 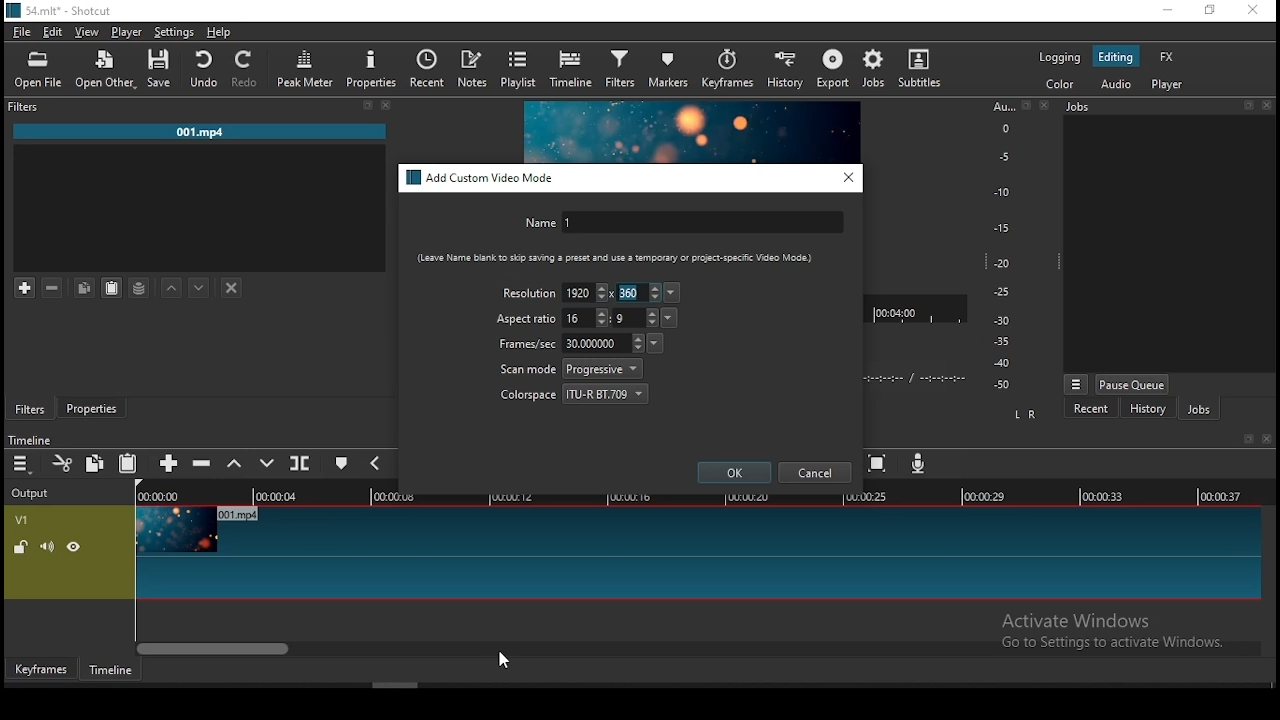 I want to click on -20, so click(x=1002, y=263).